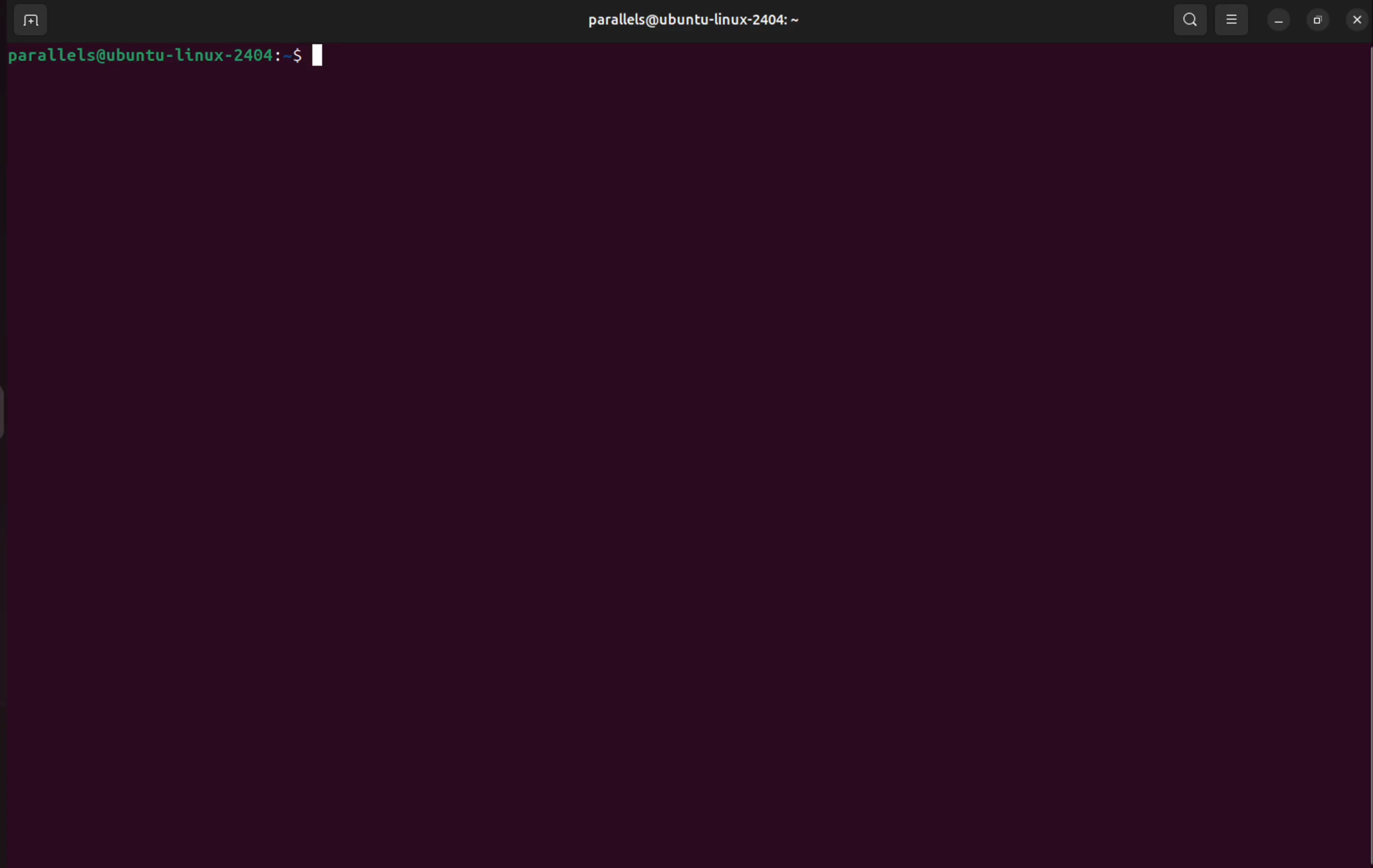 This screenshot has height=868, width=1373. Describe the element at coordinates (1359, 424) in the screenshot. I see `Scrollbar` at that location.